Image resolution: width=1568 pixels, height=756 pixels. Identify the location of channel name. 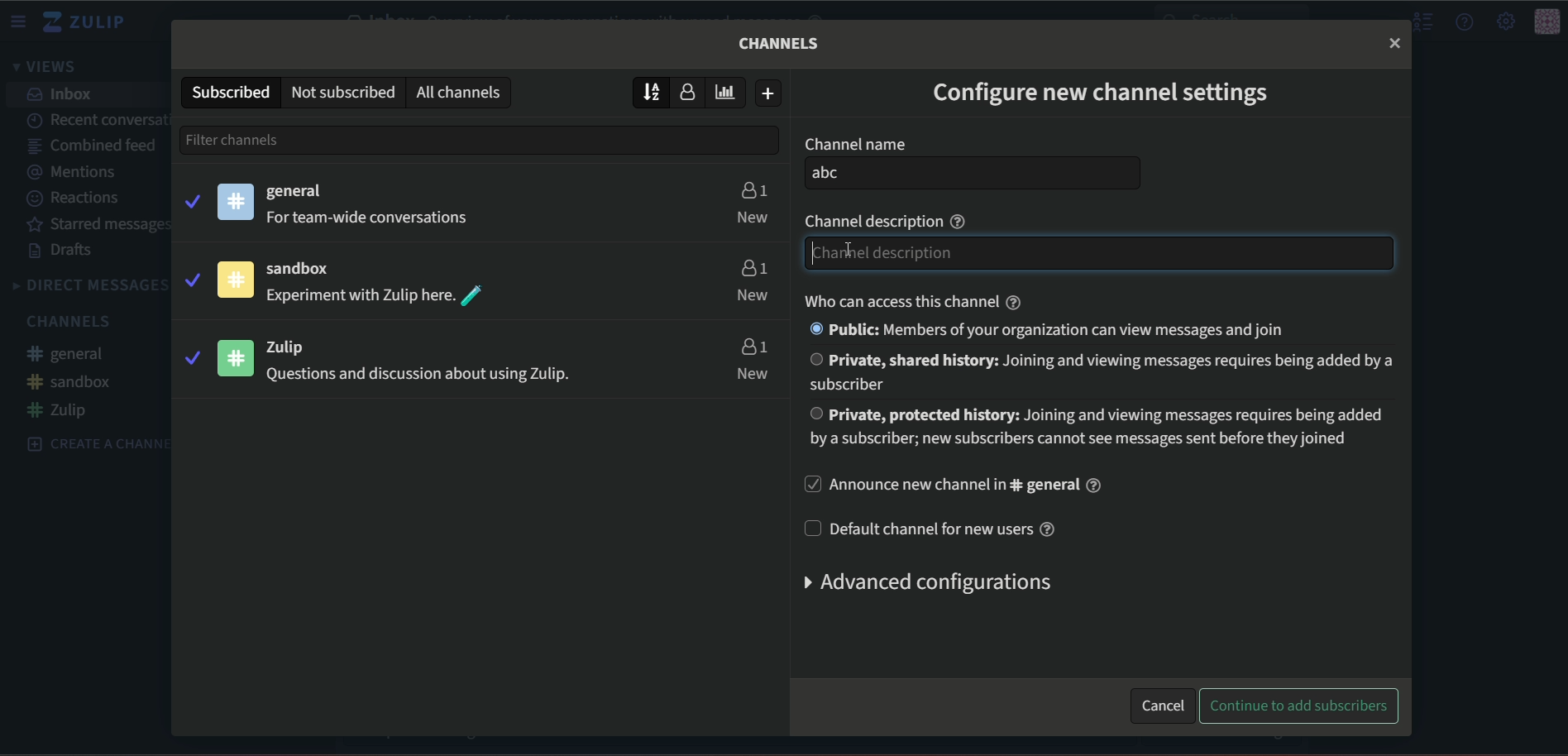
(854, 144).